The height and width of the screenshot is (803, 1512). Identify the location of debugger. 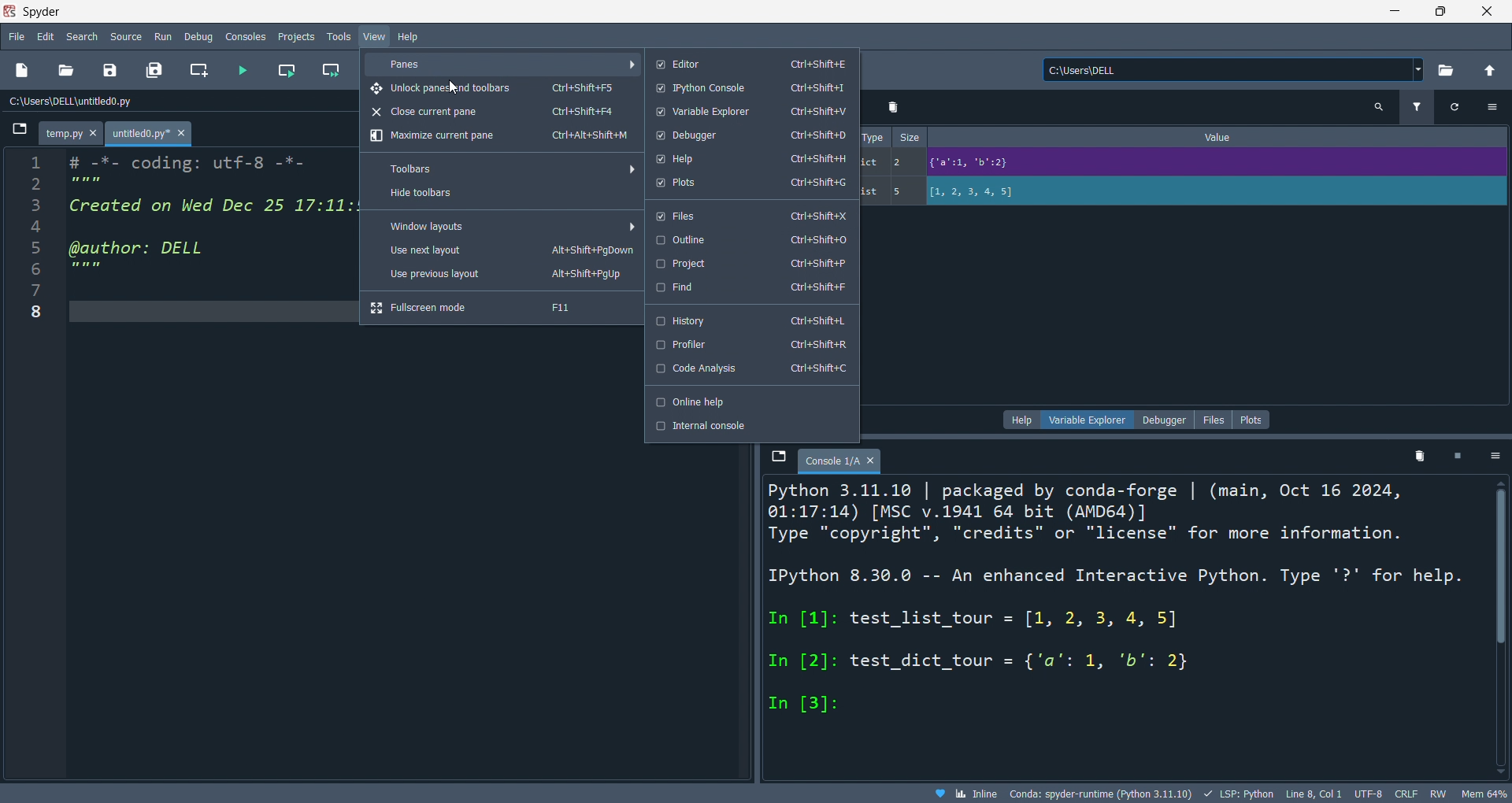
(749, 135).